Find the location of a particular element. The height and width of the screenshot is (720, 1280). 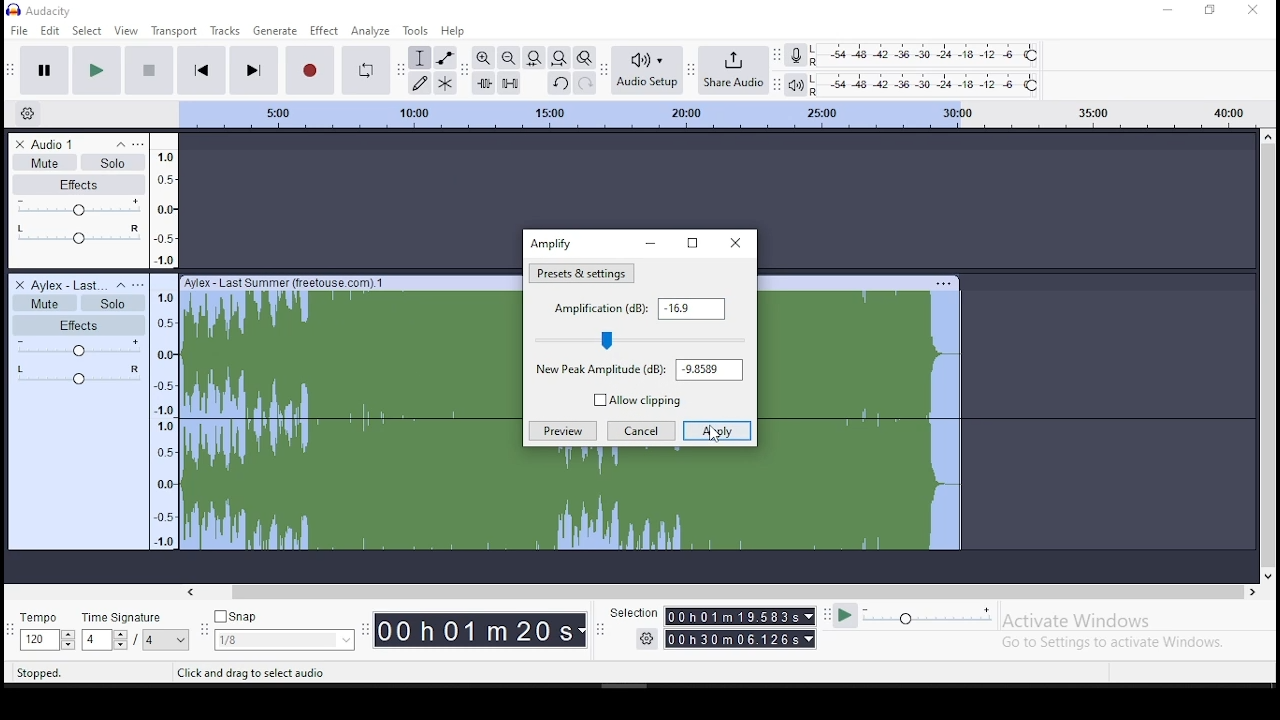

tempo is located at coordinates (47, 633).